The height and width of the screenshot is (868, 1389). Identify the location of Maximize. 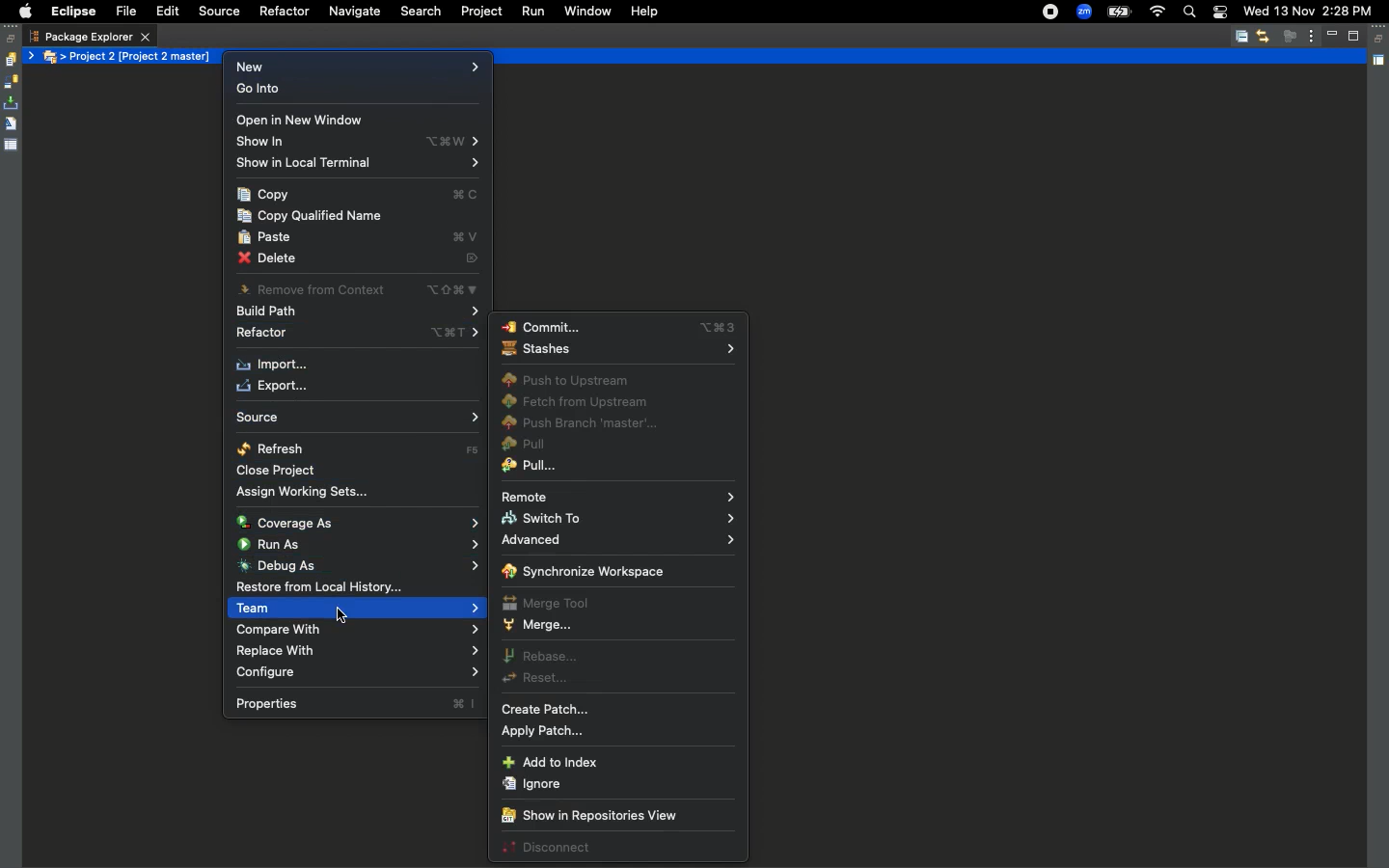
(1355, 36).